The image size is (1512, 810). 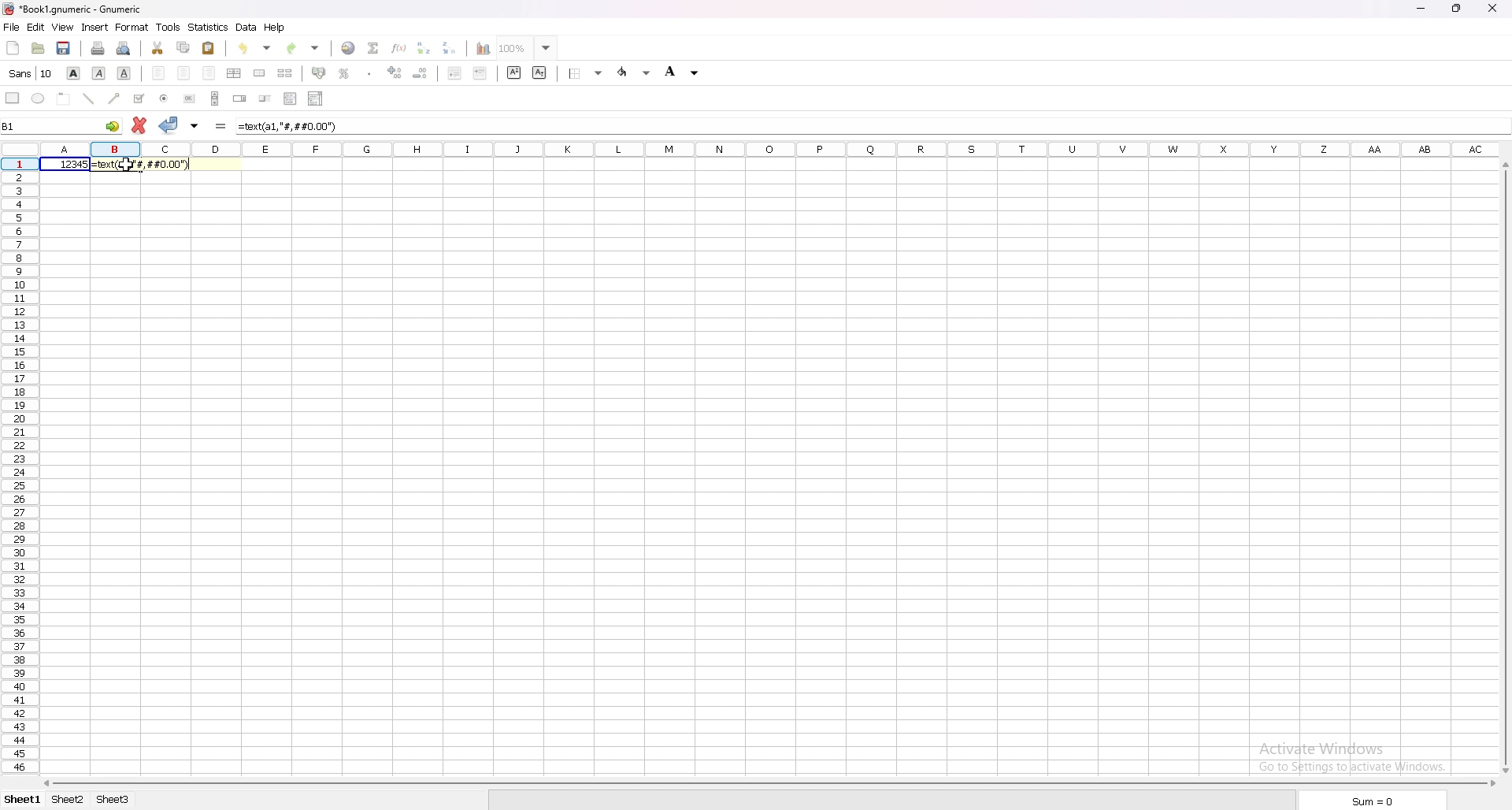 I want to click on data, so click(x=246, y=27).